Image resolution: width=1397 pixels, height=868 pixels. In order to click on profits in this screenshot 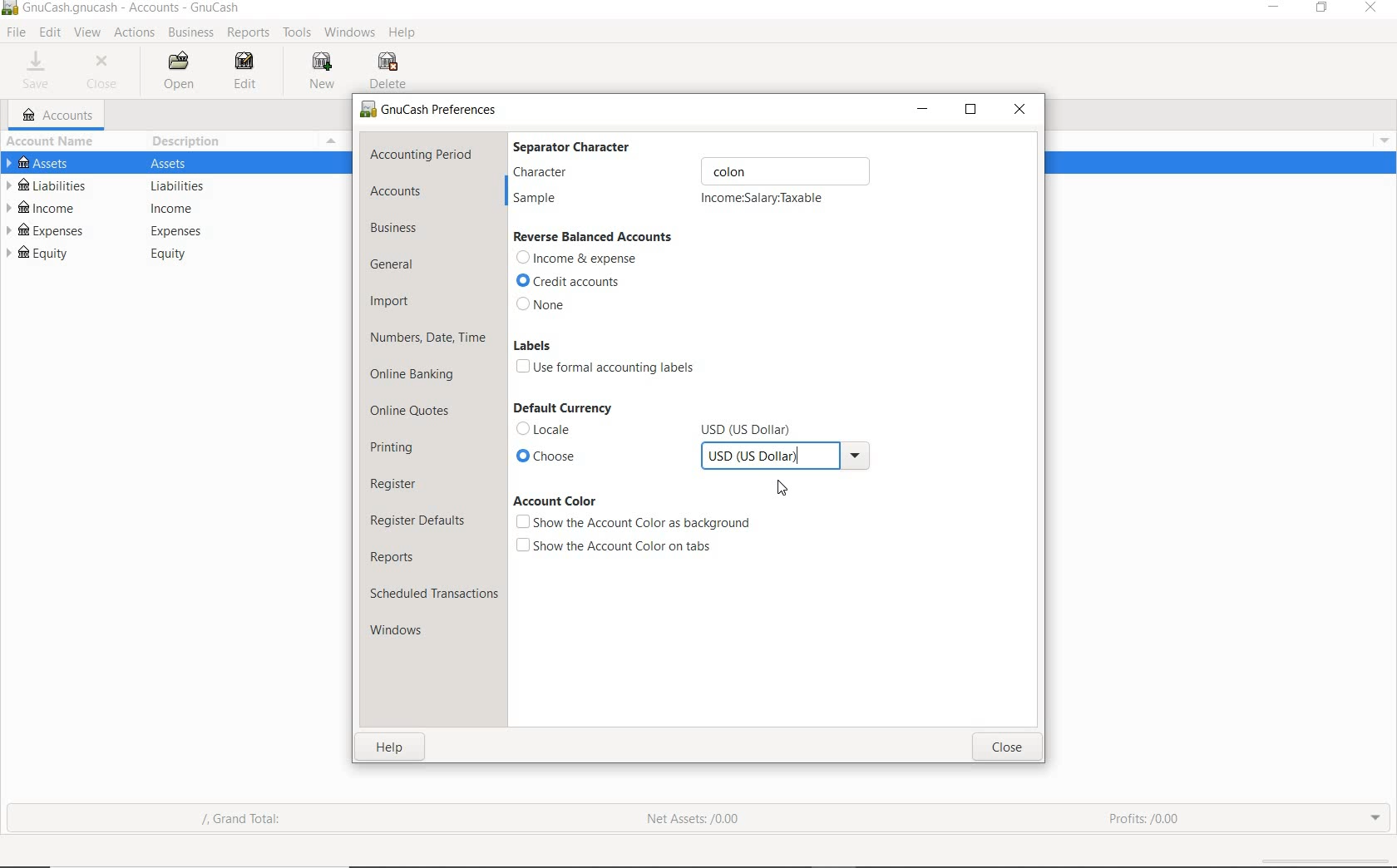, I will do `click(1146, 814)`.